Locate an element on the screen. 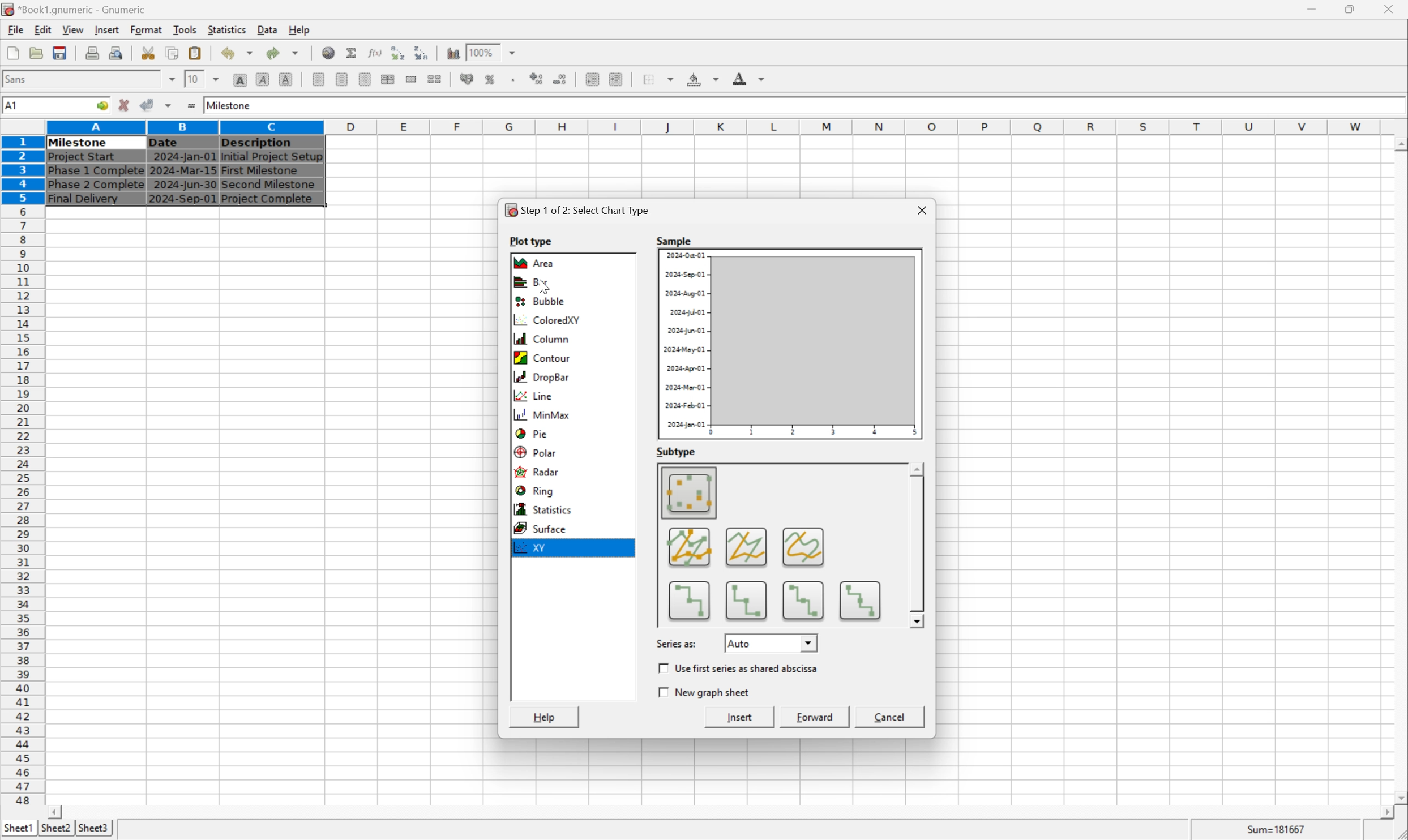 This screenshot has height=840, width=1408. plot type is located at coordinates (533, 239).